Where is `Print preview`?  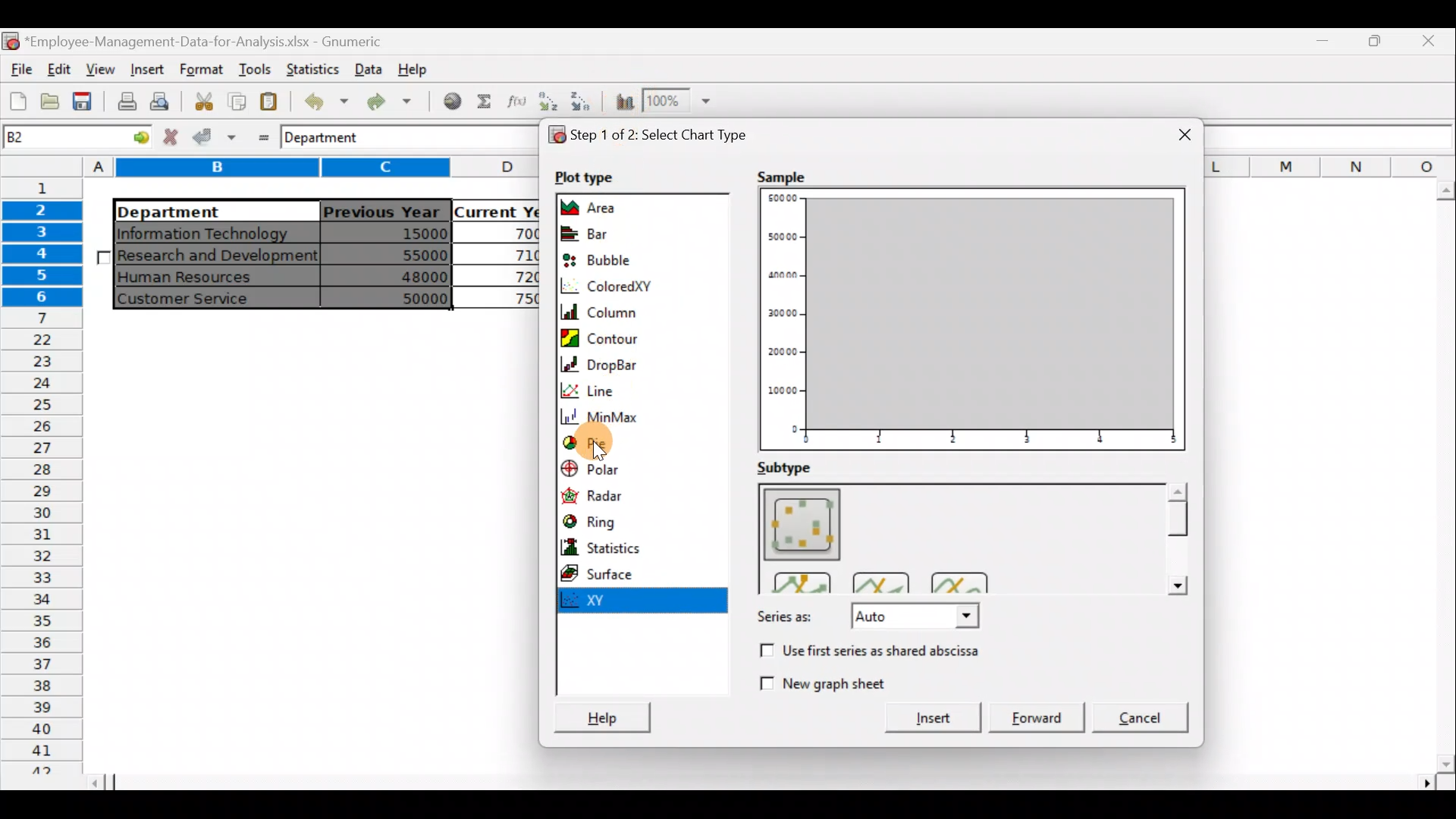
Print preview is located at coordinates (163, 101).